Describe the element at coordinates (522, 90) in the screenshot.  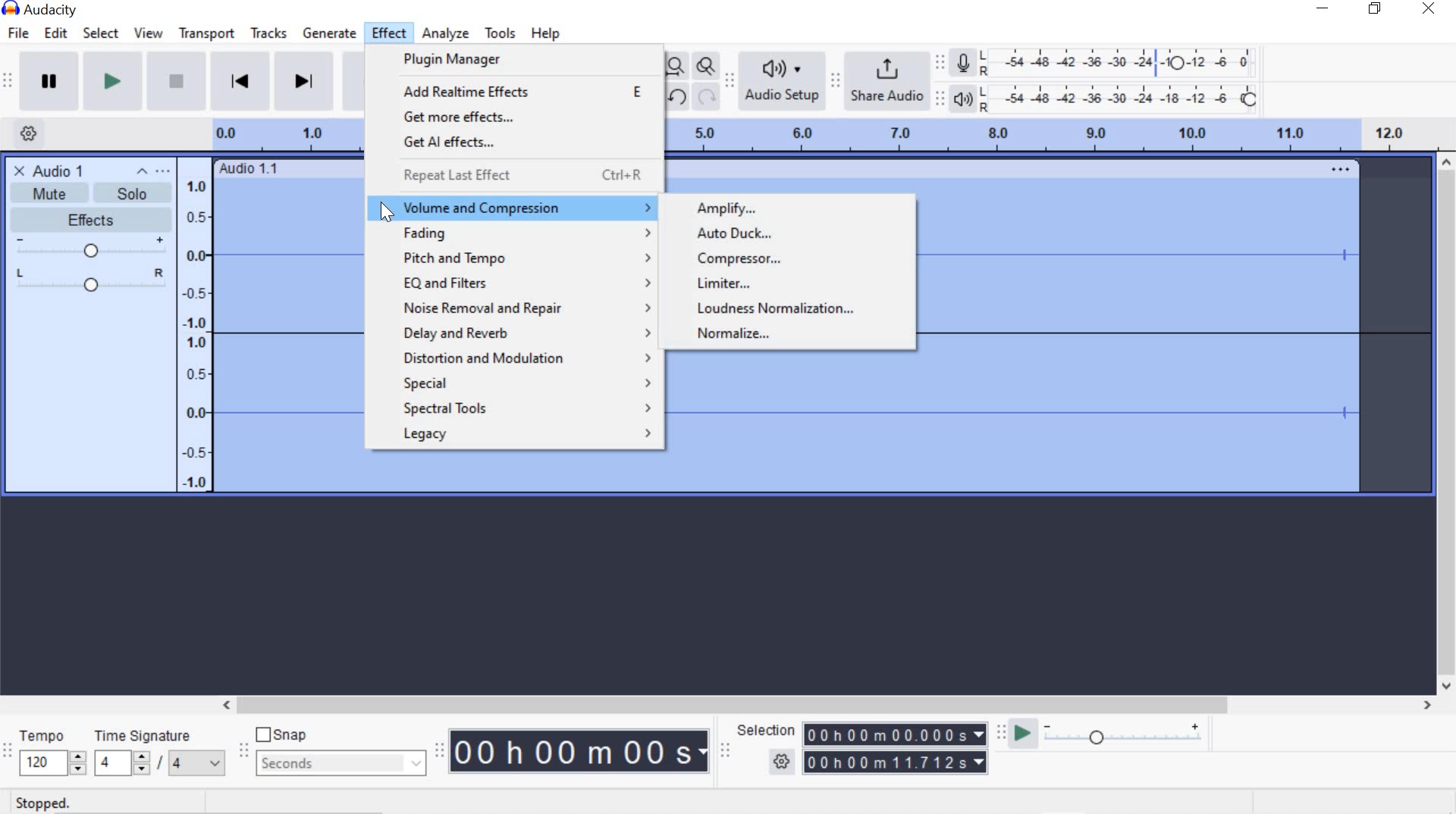
I see `add realtime effects` at that location.